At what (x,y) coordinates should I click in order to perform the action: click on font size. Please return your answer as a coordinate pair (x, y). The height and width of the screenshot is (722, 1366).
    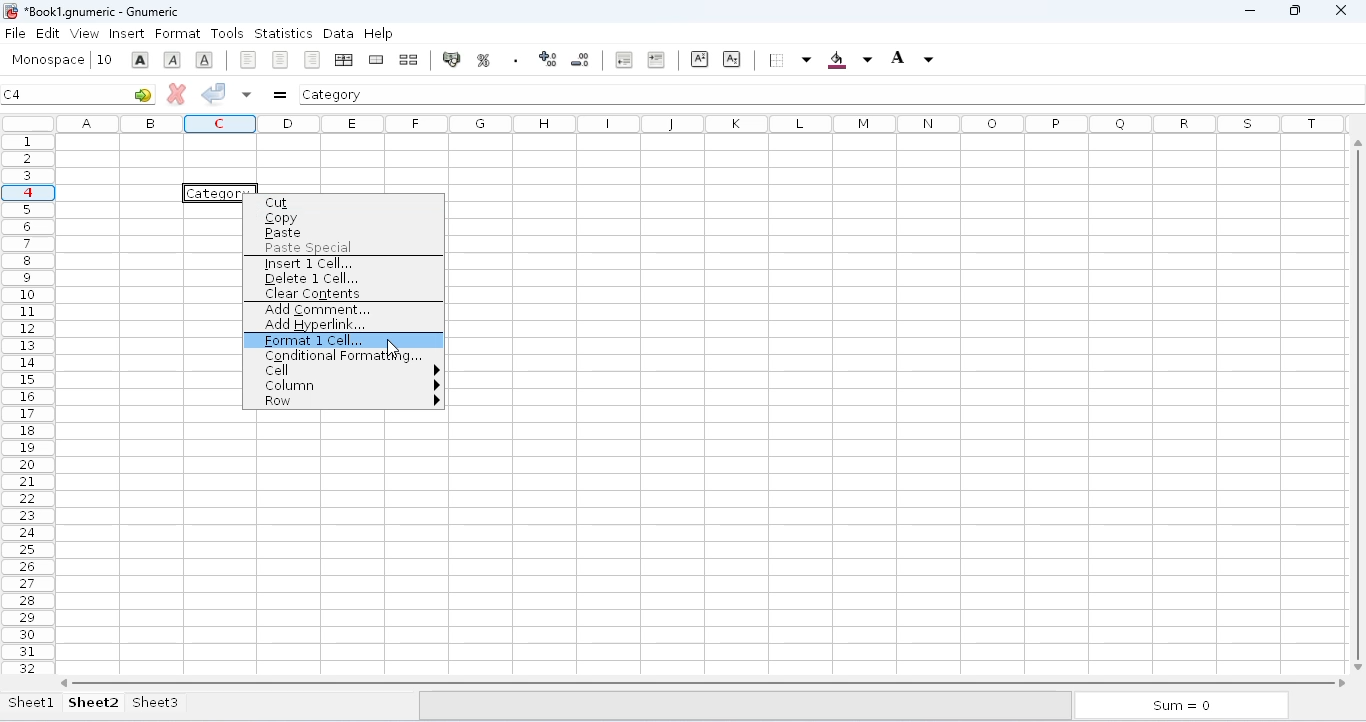
    Looking at the image, I should click on (104, 59).